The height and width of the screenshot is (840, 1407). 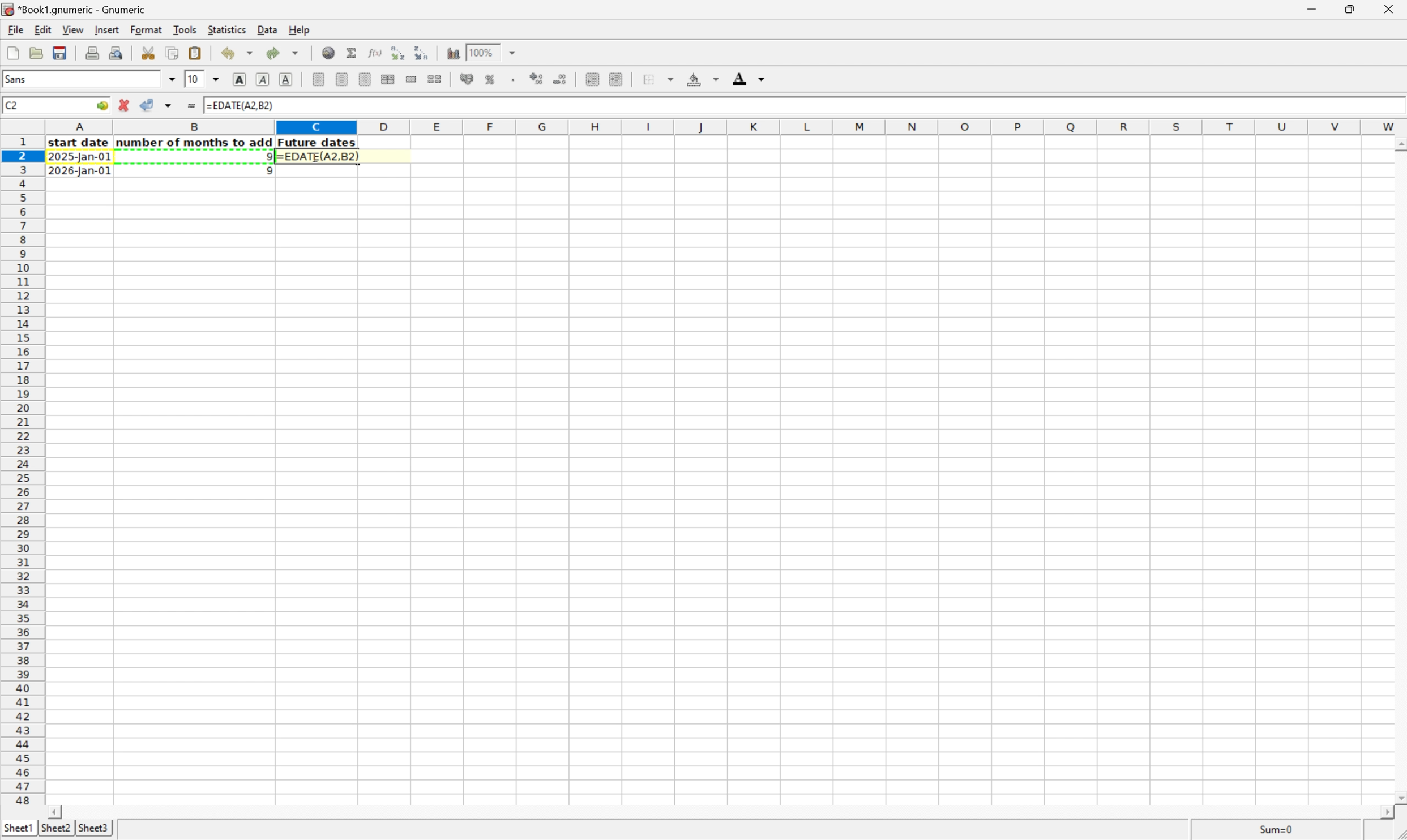 I want to click on Align Right, so click(x=365, y=79).